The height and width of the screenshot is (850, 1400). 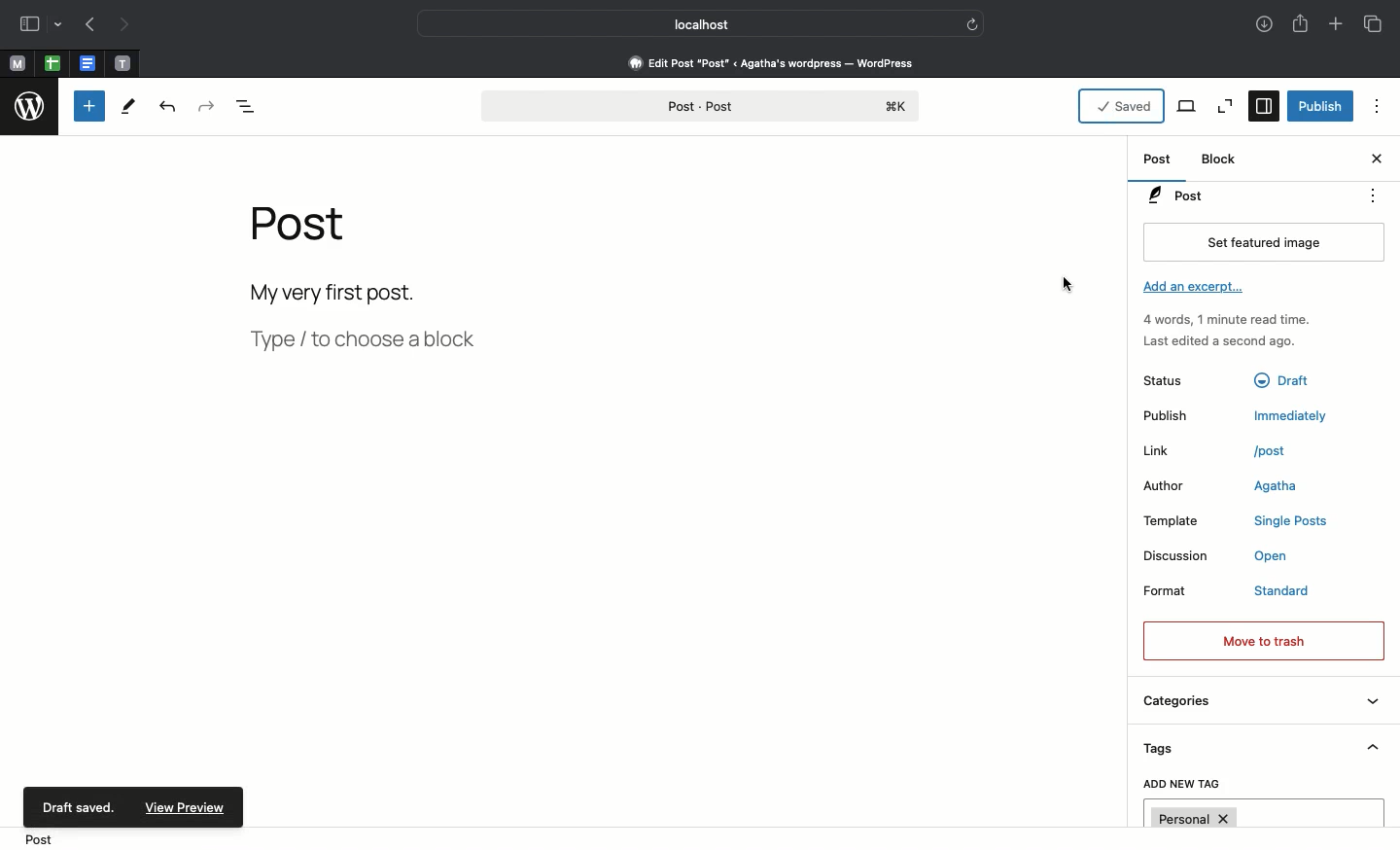 I want to click on post, so click(x=32, y=840).